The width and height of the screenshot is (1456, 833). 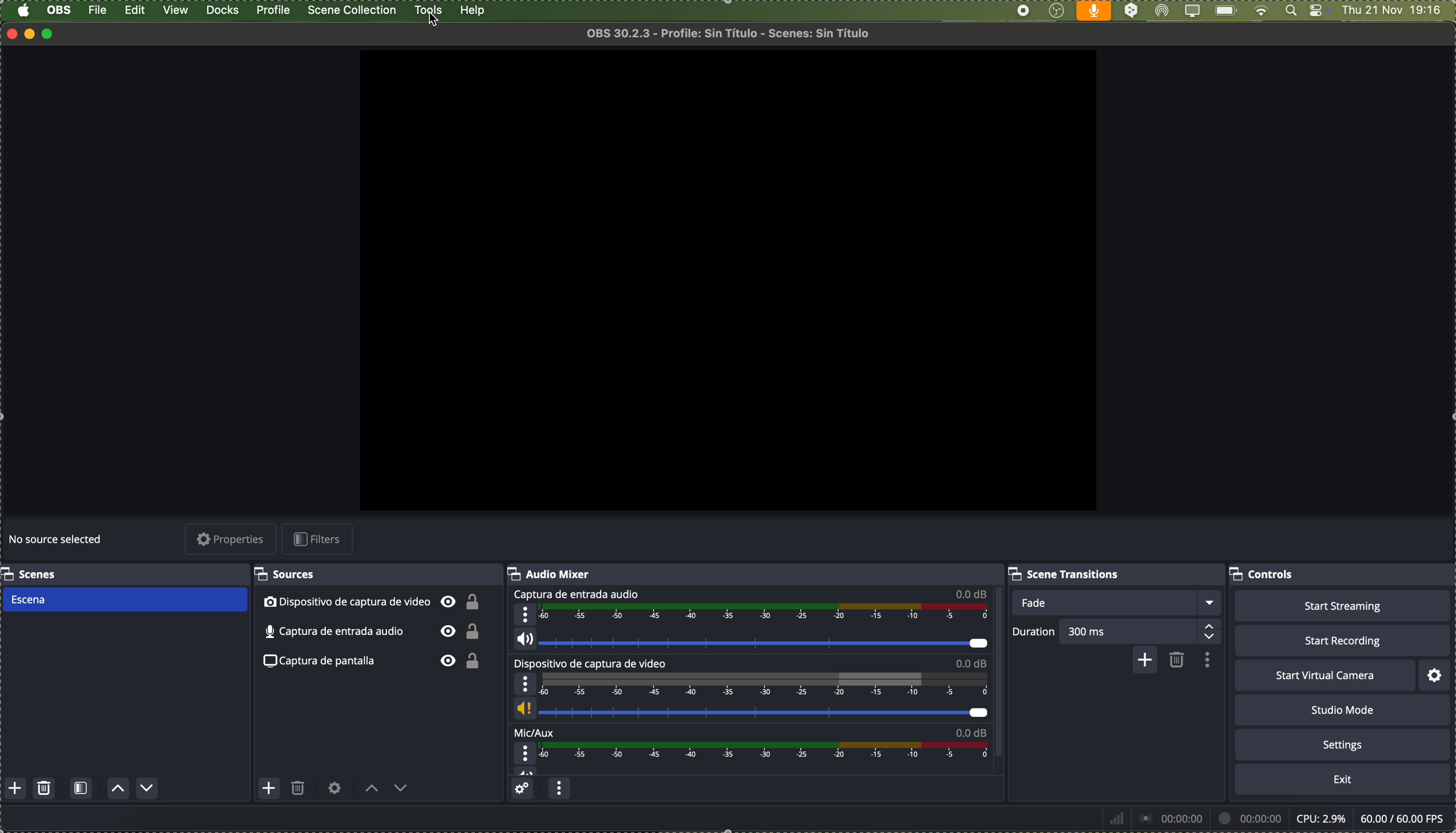 What do you see at coordinates (1342, 640) in the screenshot?
I see `start recording` at bounding box center [1342, 640].